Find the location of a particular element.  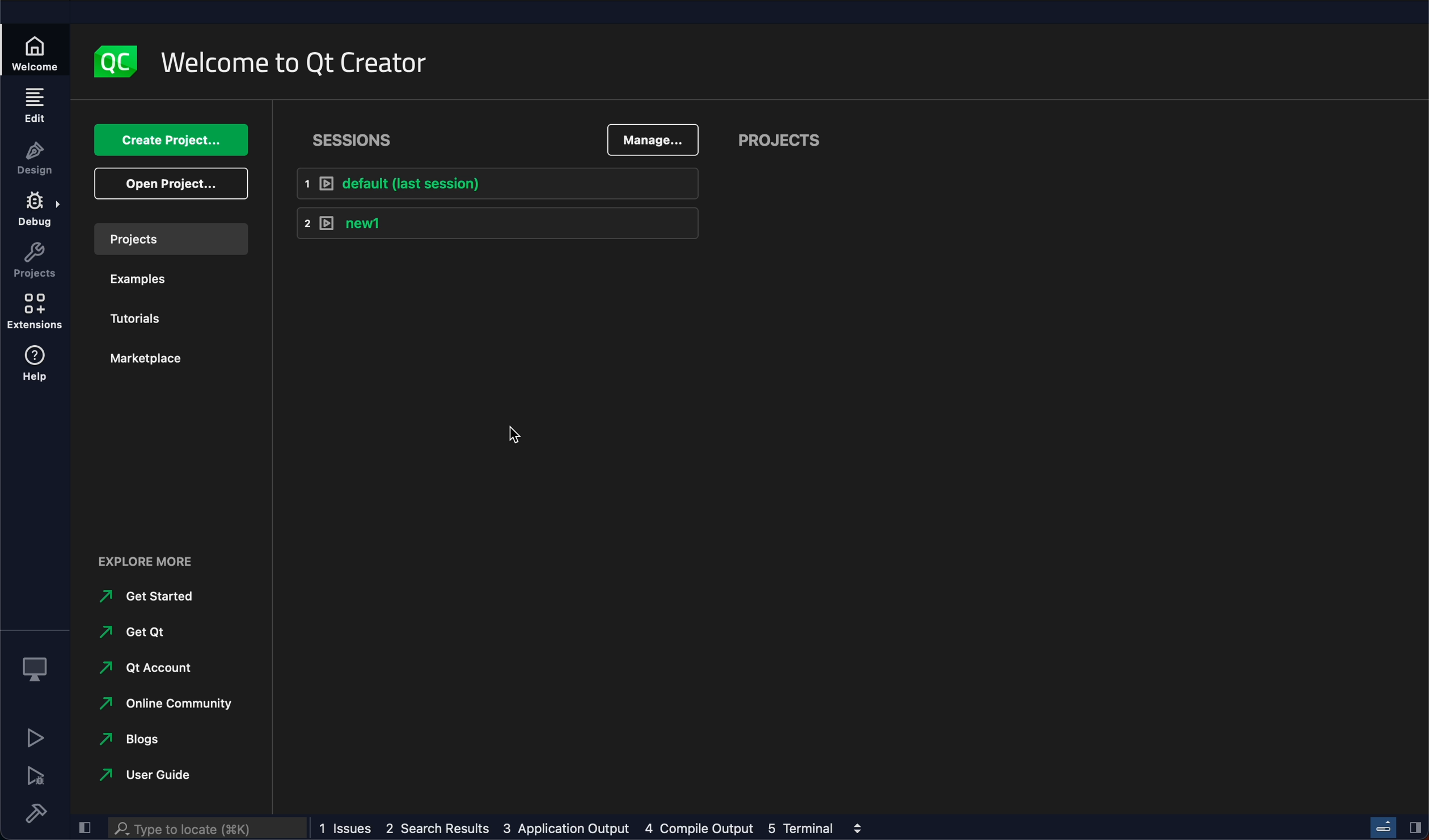

explore more  is located at coordinates (154, 559).